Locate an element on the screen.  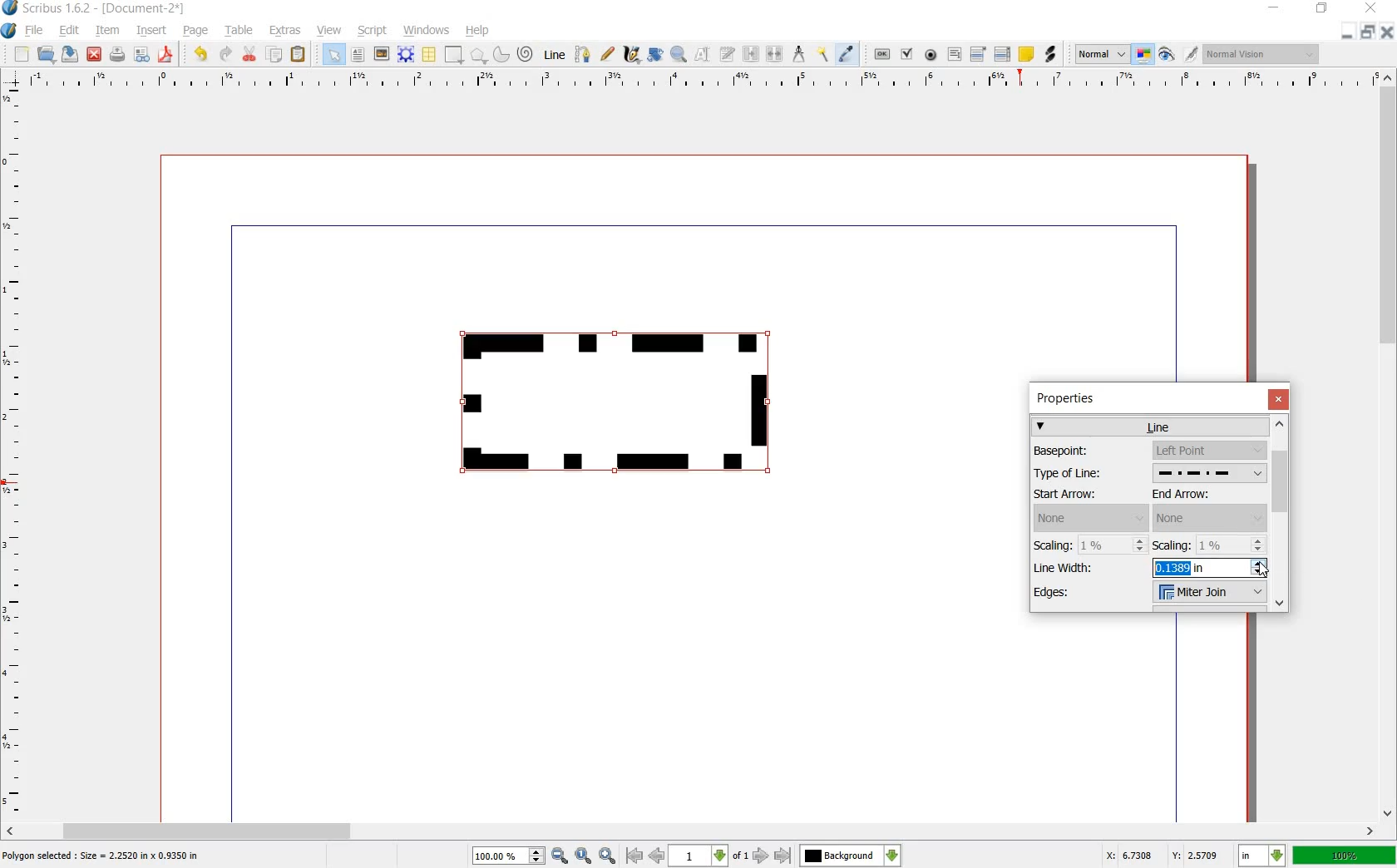
HELP is located at coordinates (477, 32).